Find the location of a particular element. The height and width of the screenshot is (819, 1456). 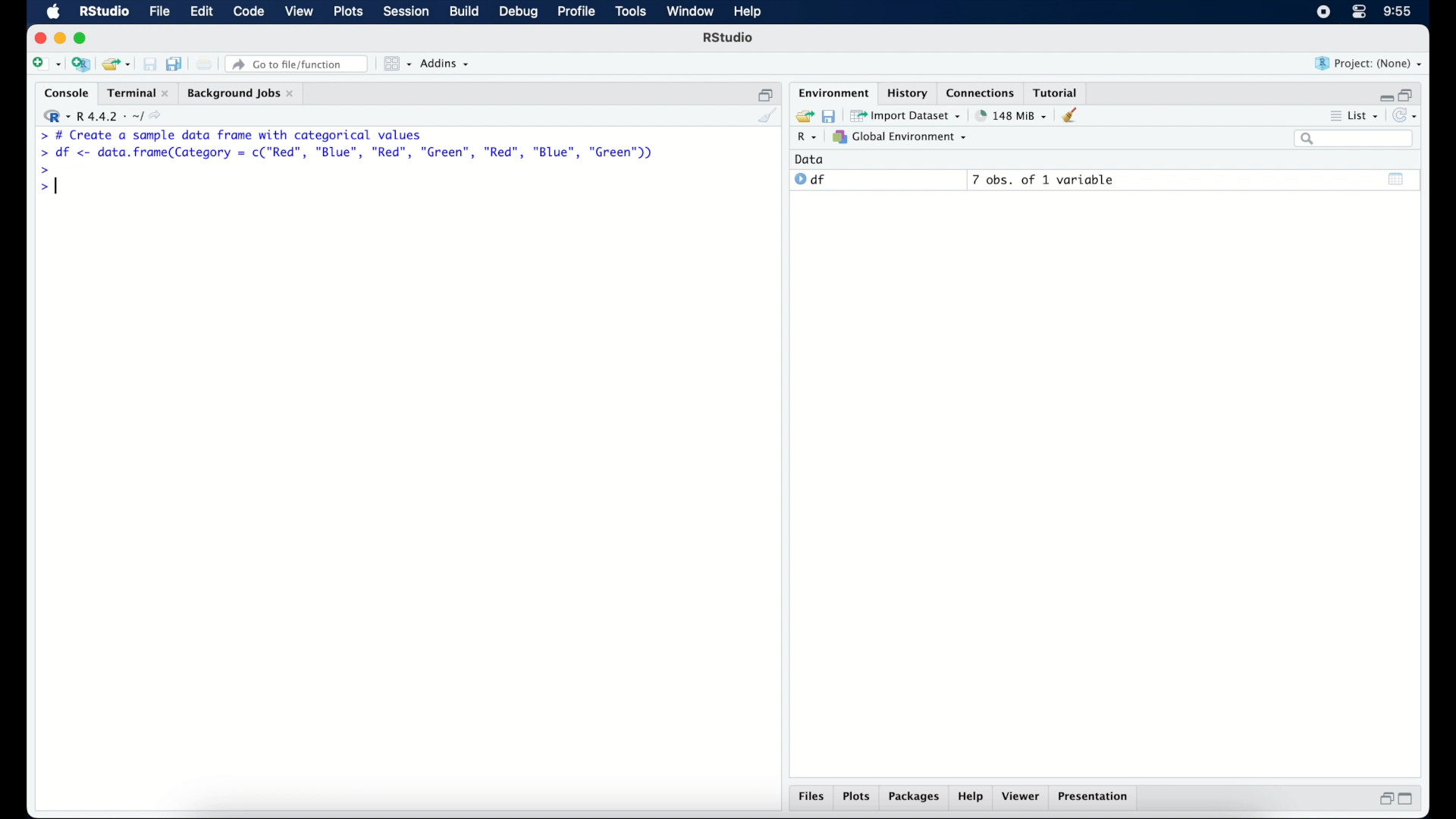

restore down is located at coordinates (1384, 799).